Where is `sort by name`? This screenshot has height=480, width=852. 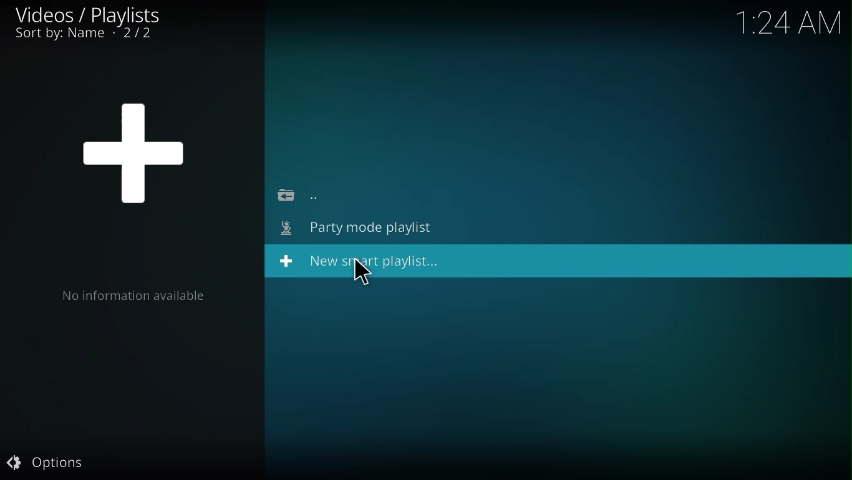
sort by name is located at coordinates (87, 36).